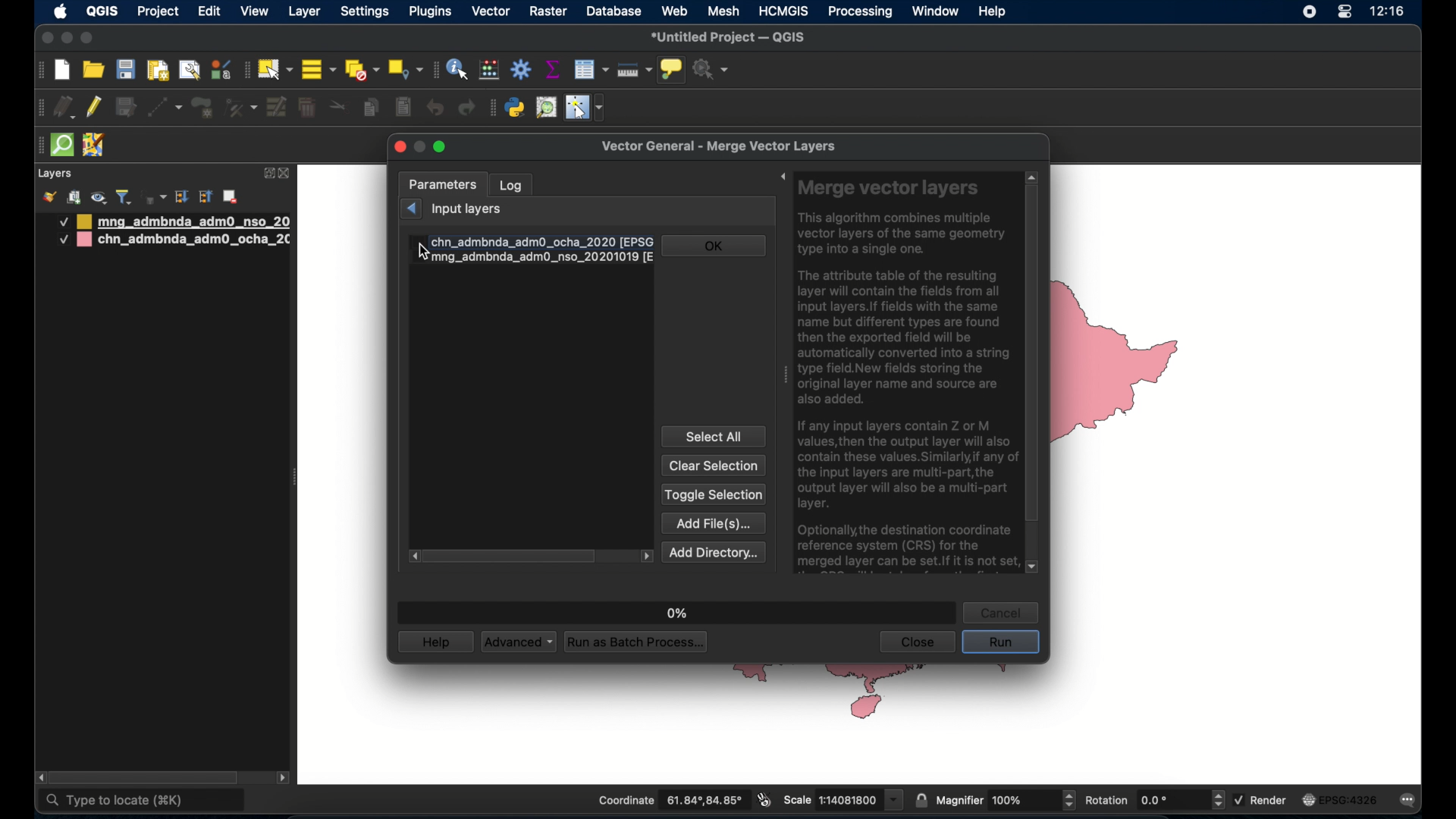  What do you see at coordinates (670, 69) in the screenshot?
I see `show map tips` at bounding box center [670, 69].